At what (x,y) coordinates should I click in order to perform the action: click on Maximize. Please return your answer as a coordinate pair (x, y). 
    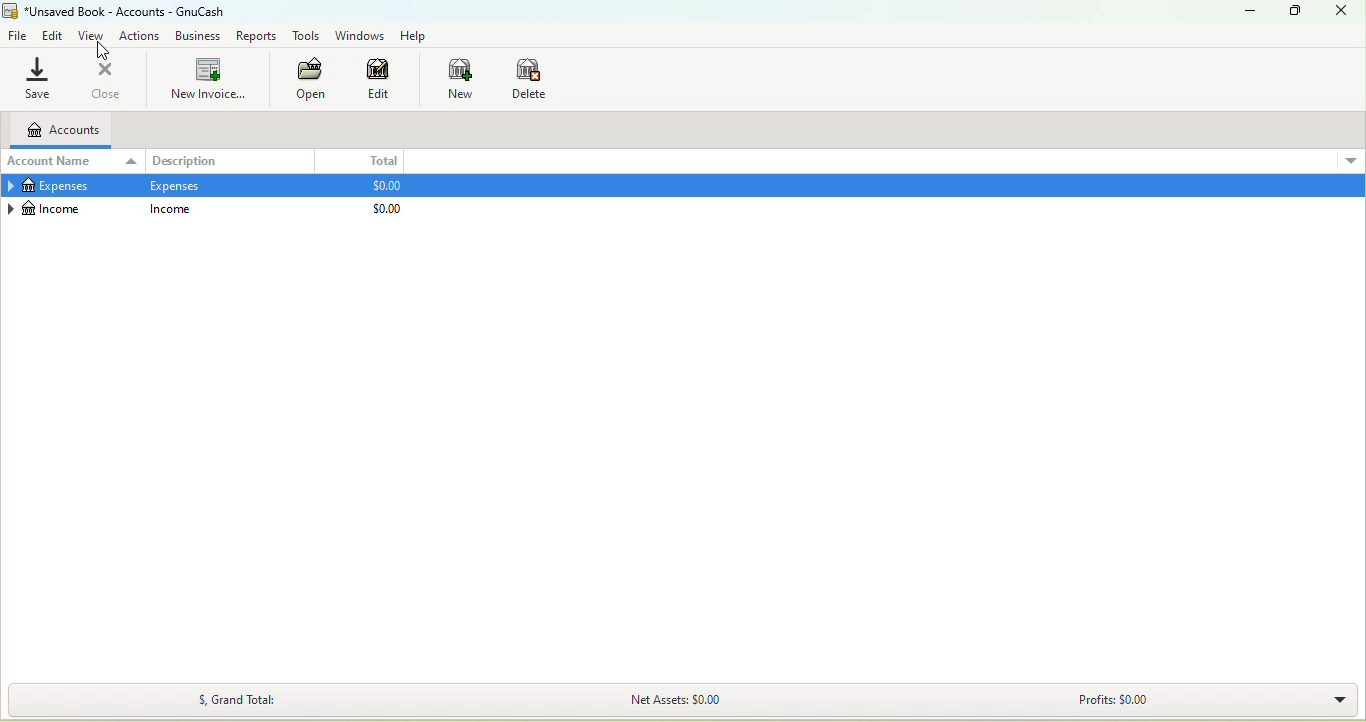
    Looking at the image, I should click on (1295, 12).